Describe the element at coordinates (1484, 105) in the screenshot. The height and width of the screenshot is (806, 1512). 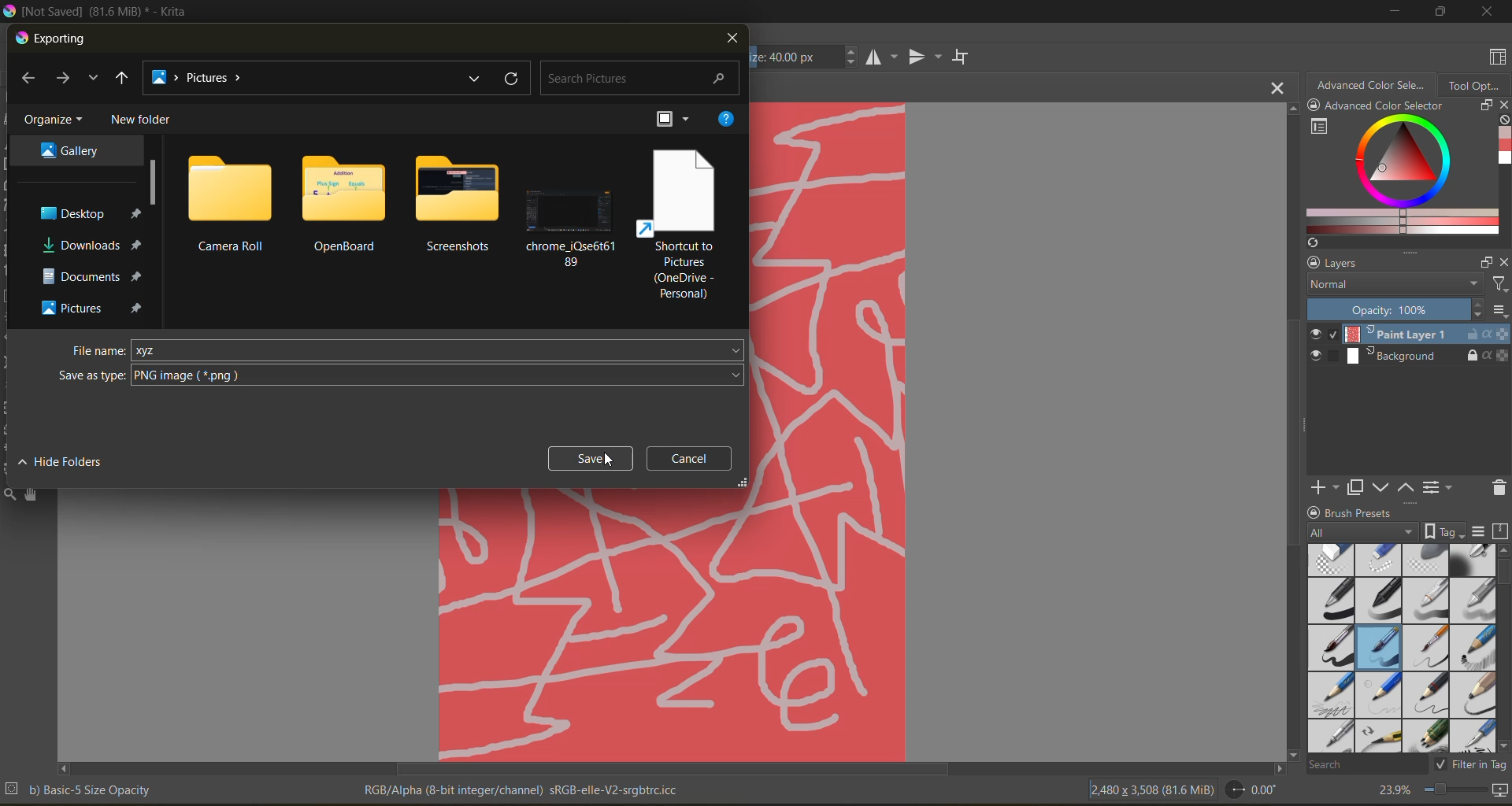
I see `float docker` at that location.